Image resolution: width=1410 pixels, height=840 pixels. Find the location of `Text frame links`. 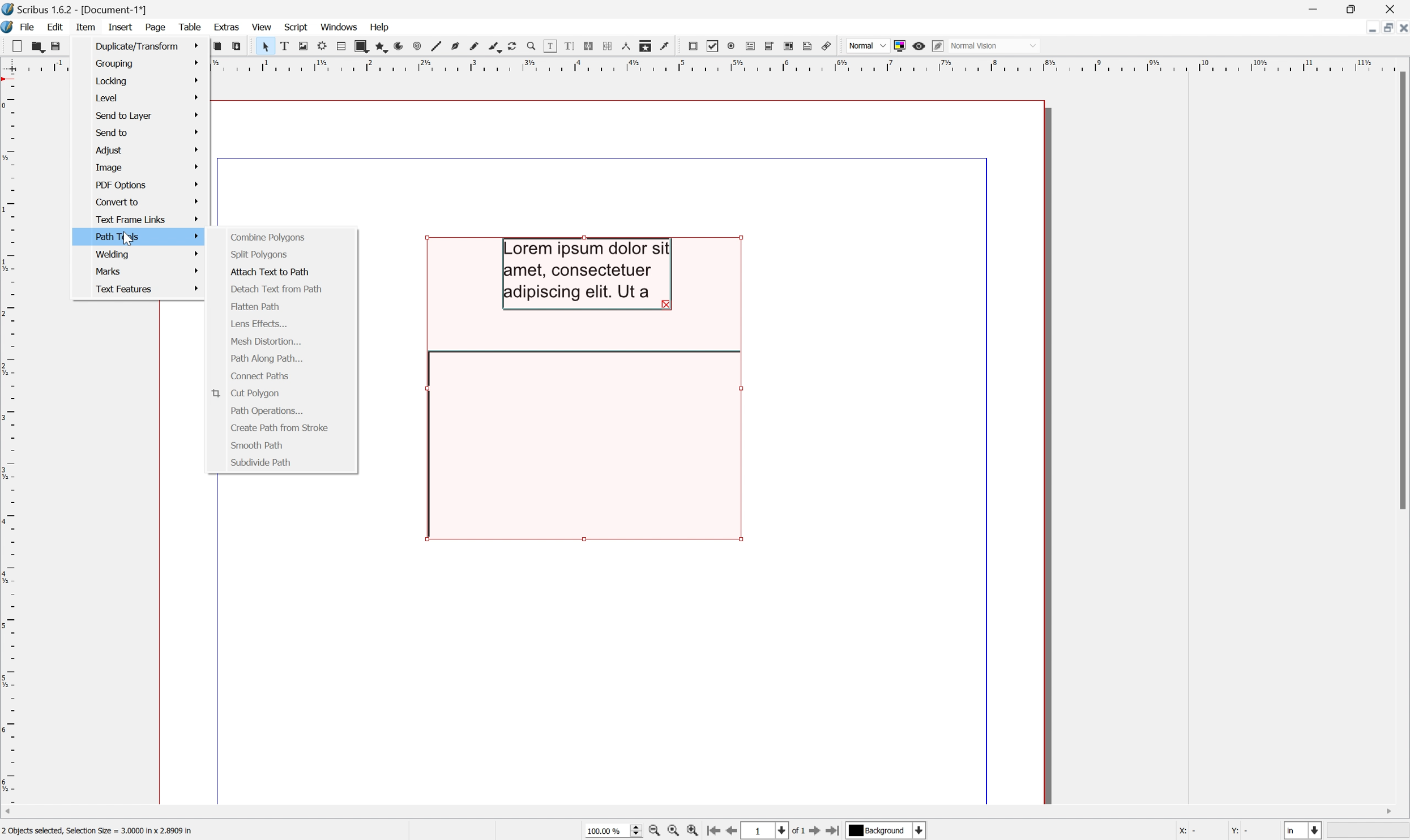

Text frame links is located at coordinates (148, 217).